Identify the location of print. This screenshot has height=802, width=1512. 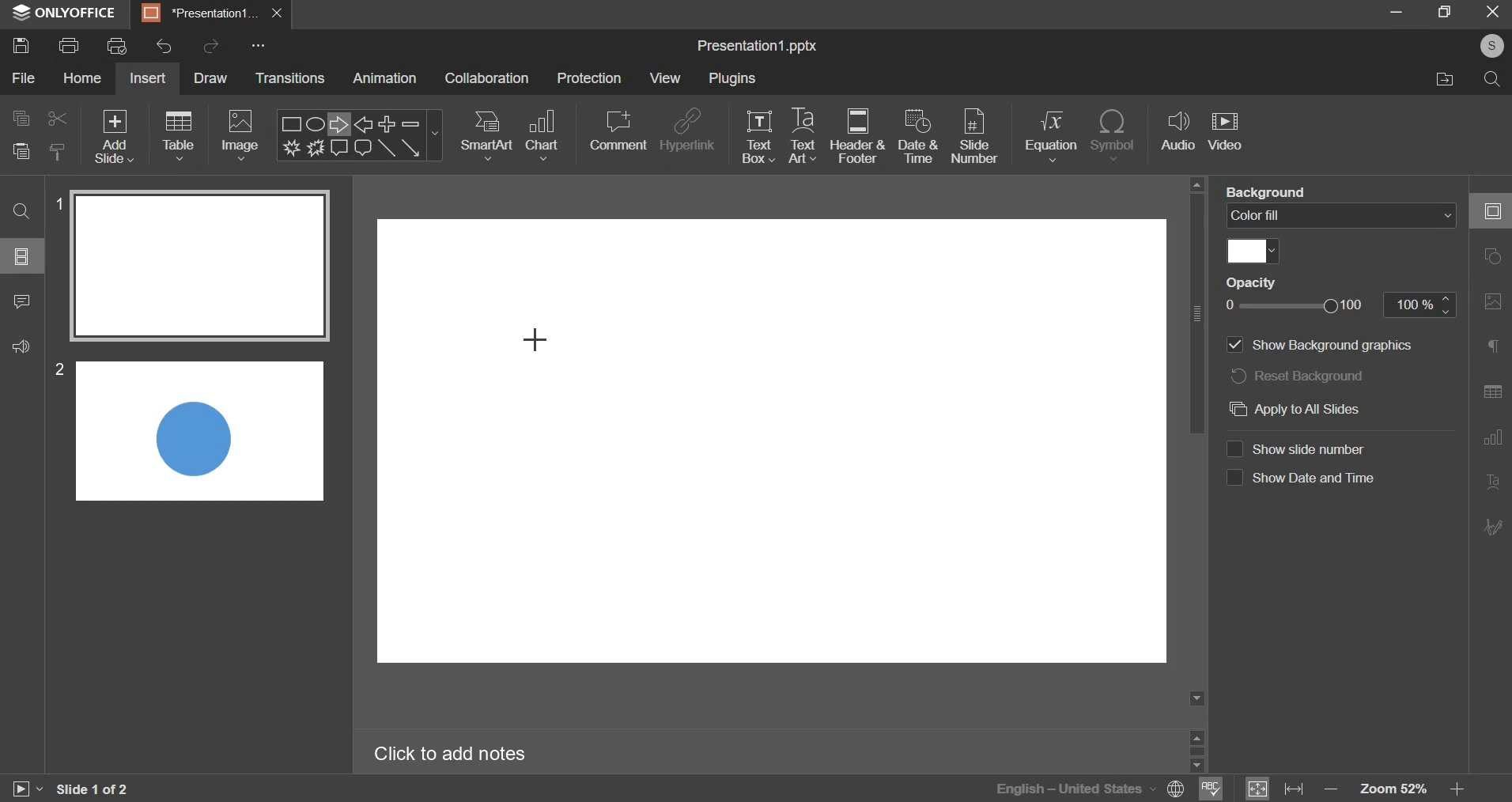
(70, 45).